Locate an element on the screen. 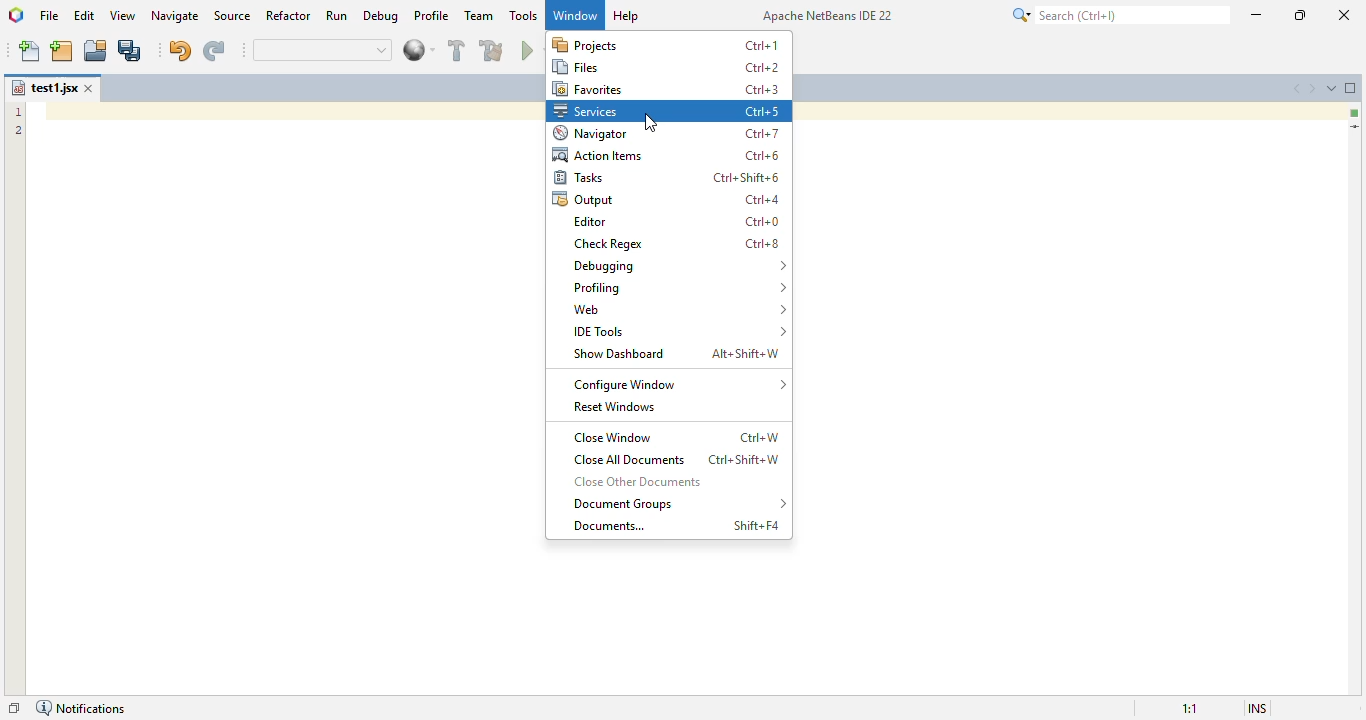 This screenshot has height=720, width=1366. close window is located at coordinates (614, 438).